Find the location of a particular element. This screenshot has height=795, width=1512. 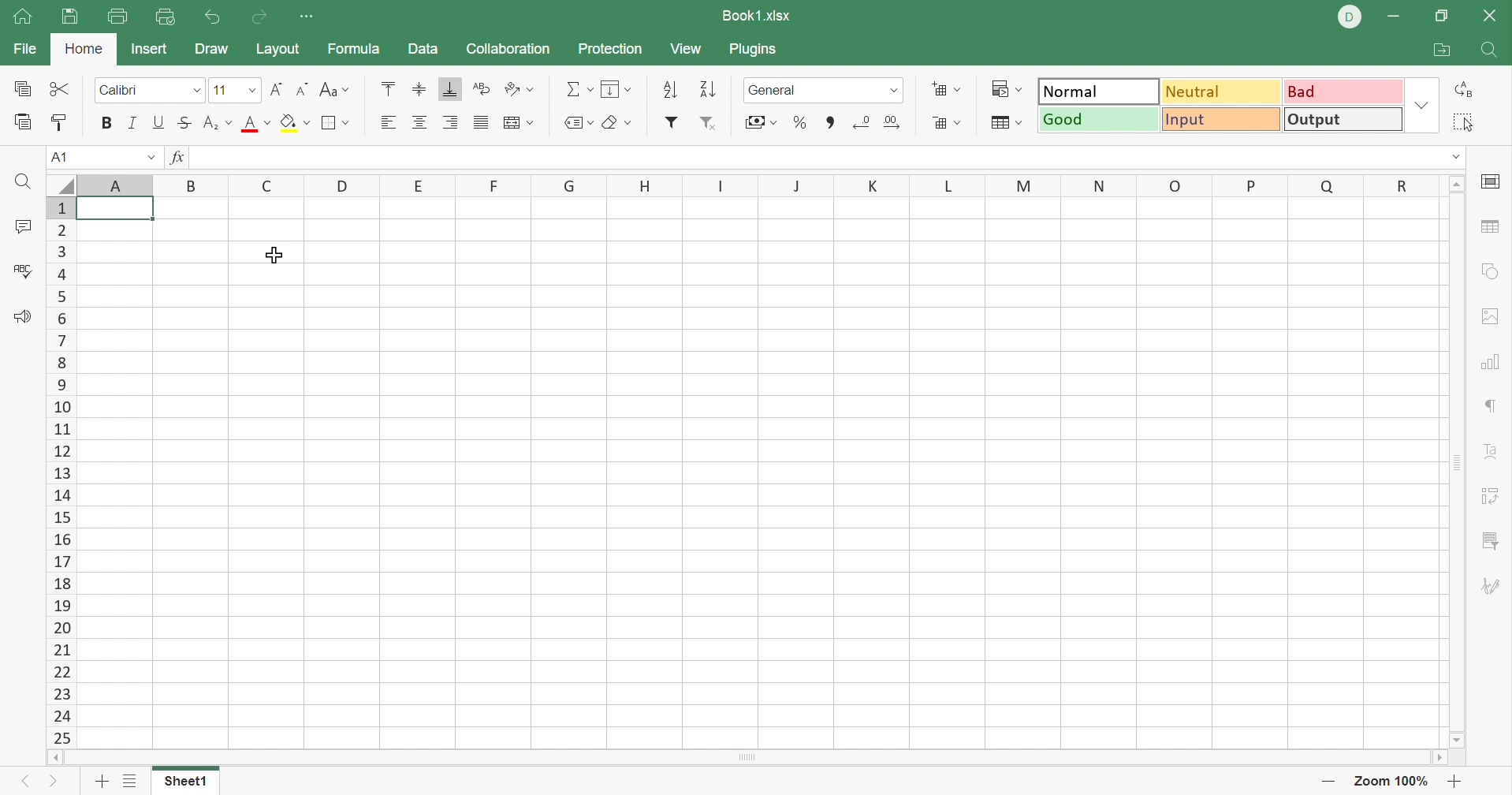

Justified is located at coordinates (479, 122).